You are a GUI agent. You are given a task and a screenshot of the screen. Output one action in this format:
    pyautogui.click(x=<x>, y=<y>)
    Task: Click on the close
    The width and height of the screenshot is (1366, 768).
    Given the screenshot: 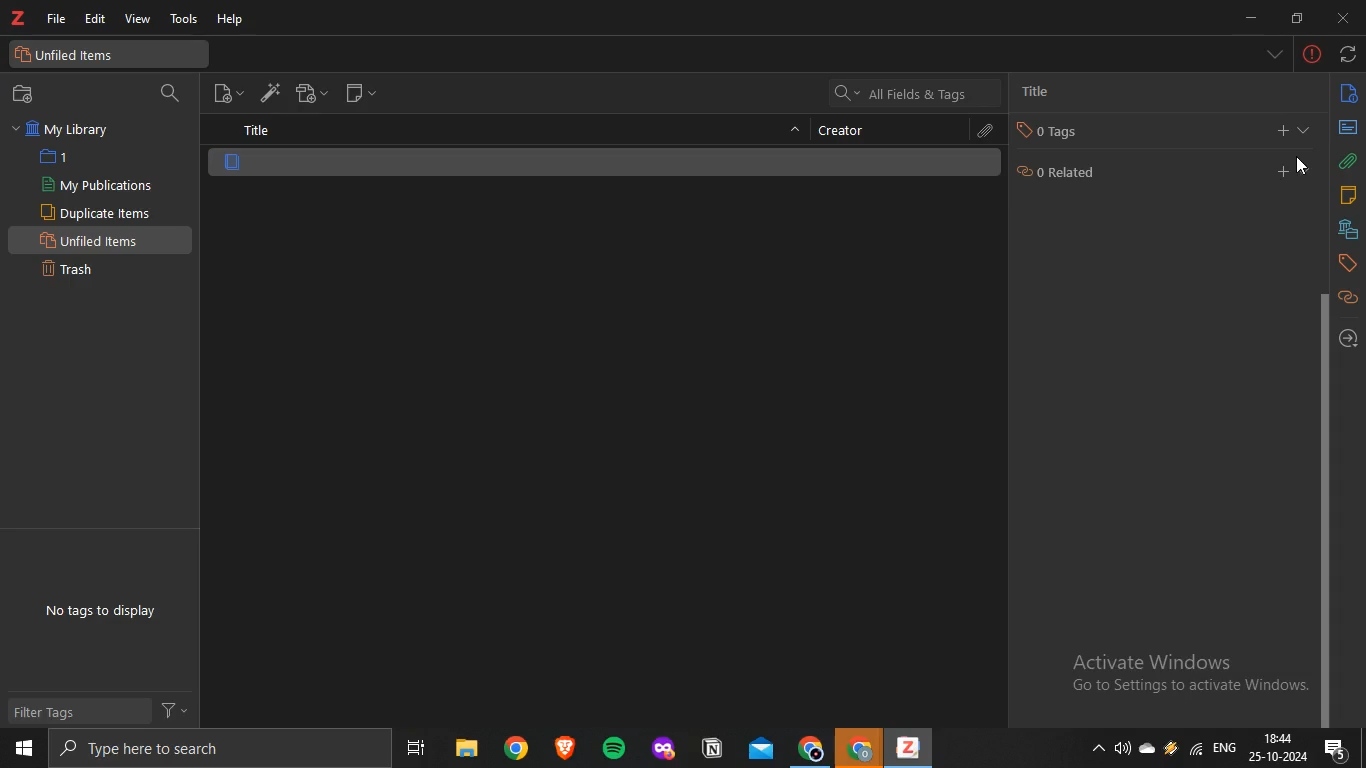 What is the action you would take?
    pyautogui.click(x=1343, y=19)
    